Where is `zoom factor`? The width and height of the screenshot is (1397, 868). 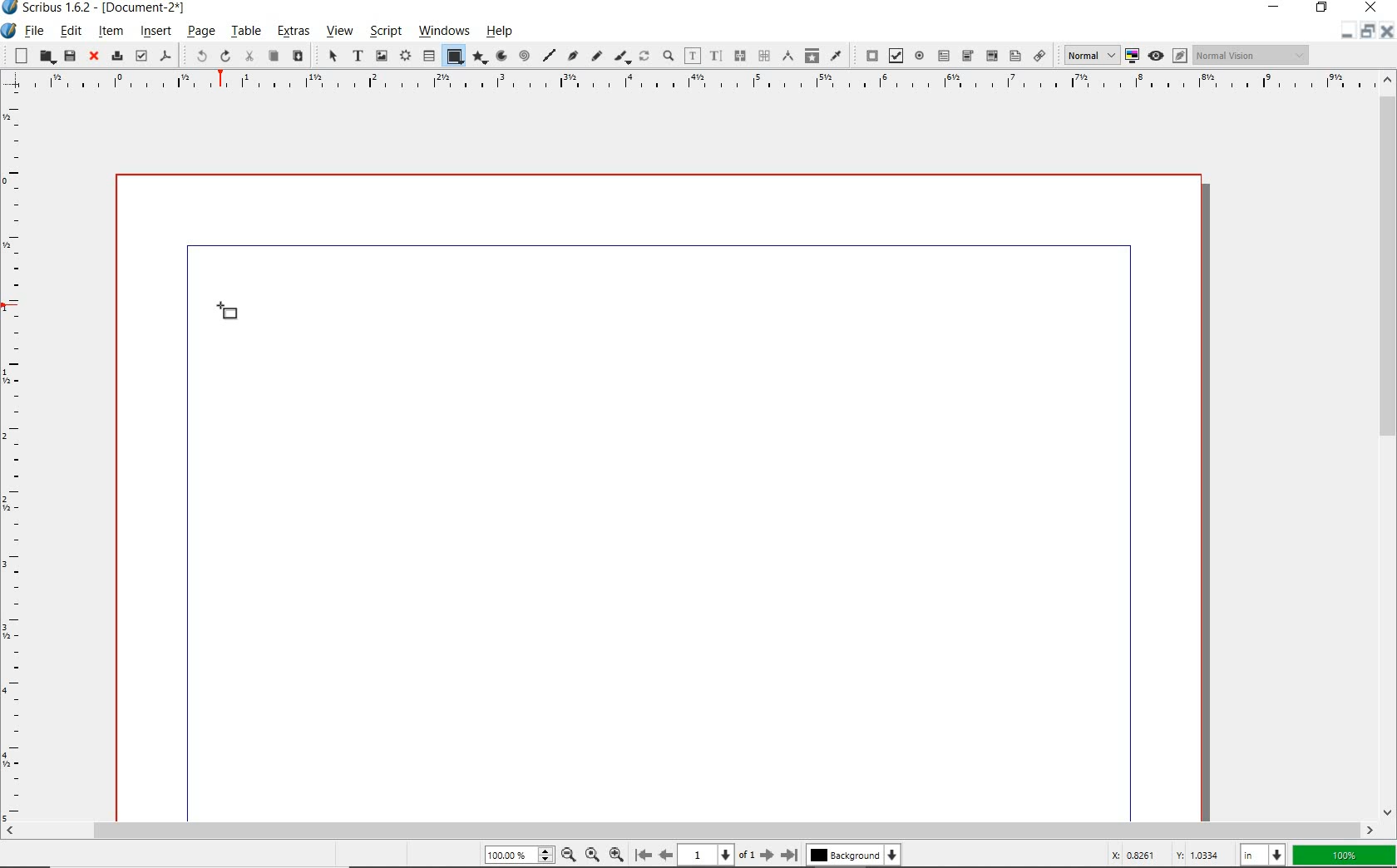
zoom factor is located at coordinates (1344, 856).